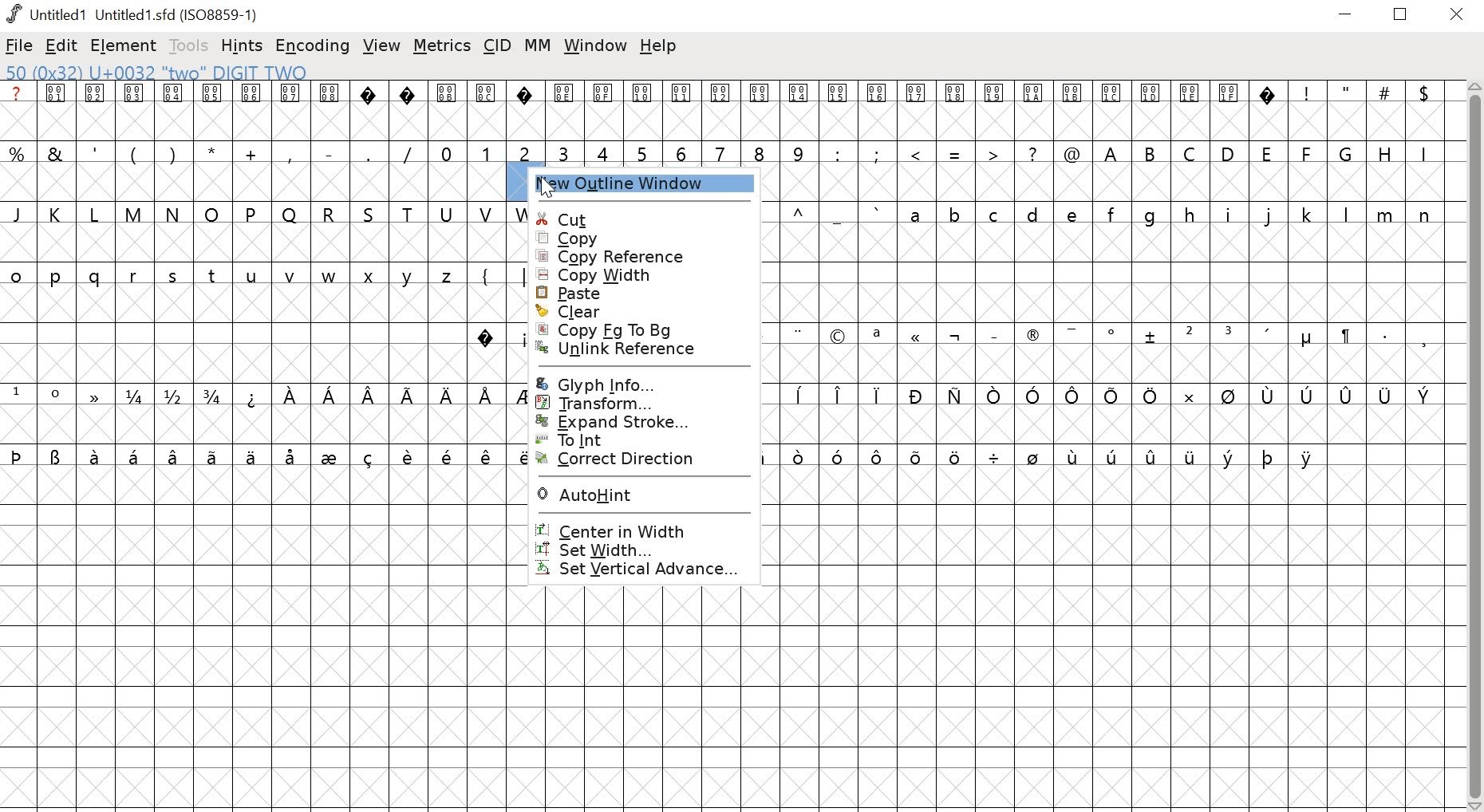  Describe the element at coordinates (982, 122) in the screenshot. I see `glyphs` at that location.